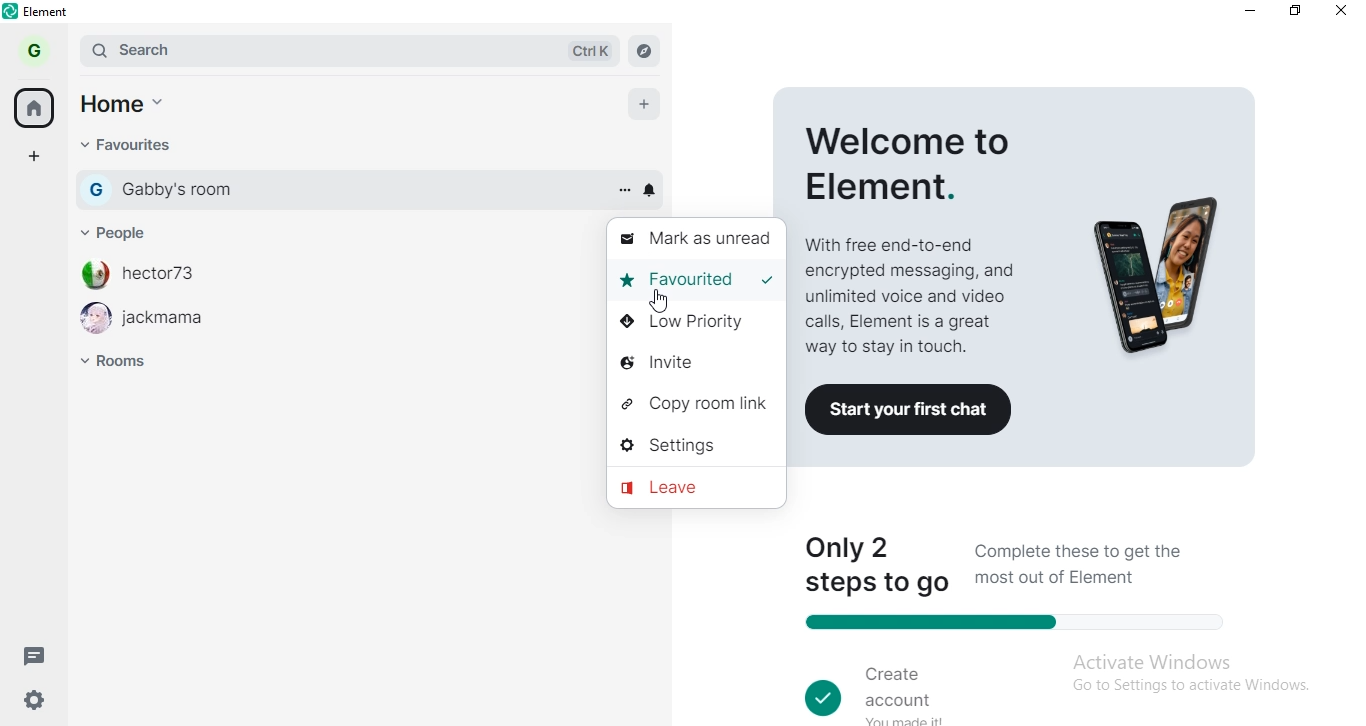 This screenshot has height=726, width=1366. What do you see at coordinates (40, 702) in the screenshot?
I see `settings` at bounding box center [40, 702].